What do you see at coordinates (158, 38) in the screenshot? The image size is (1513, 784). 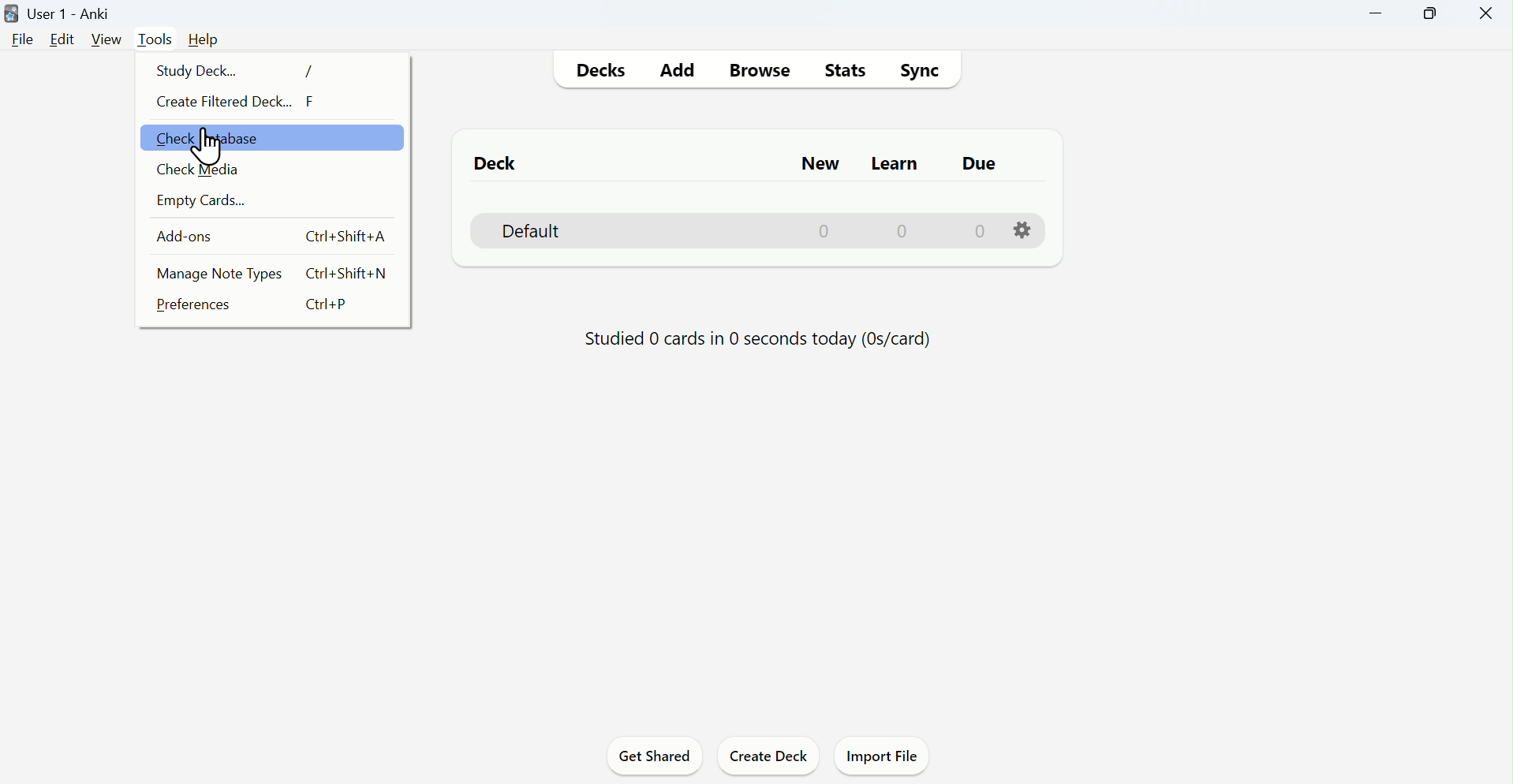 I see `Tools` at bounding box center [158, 38].